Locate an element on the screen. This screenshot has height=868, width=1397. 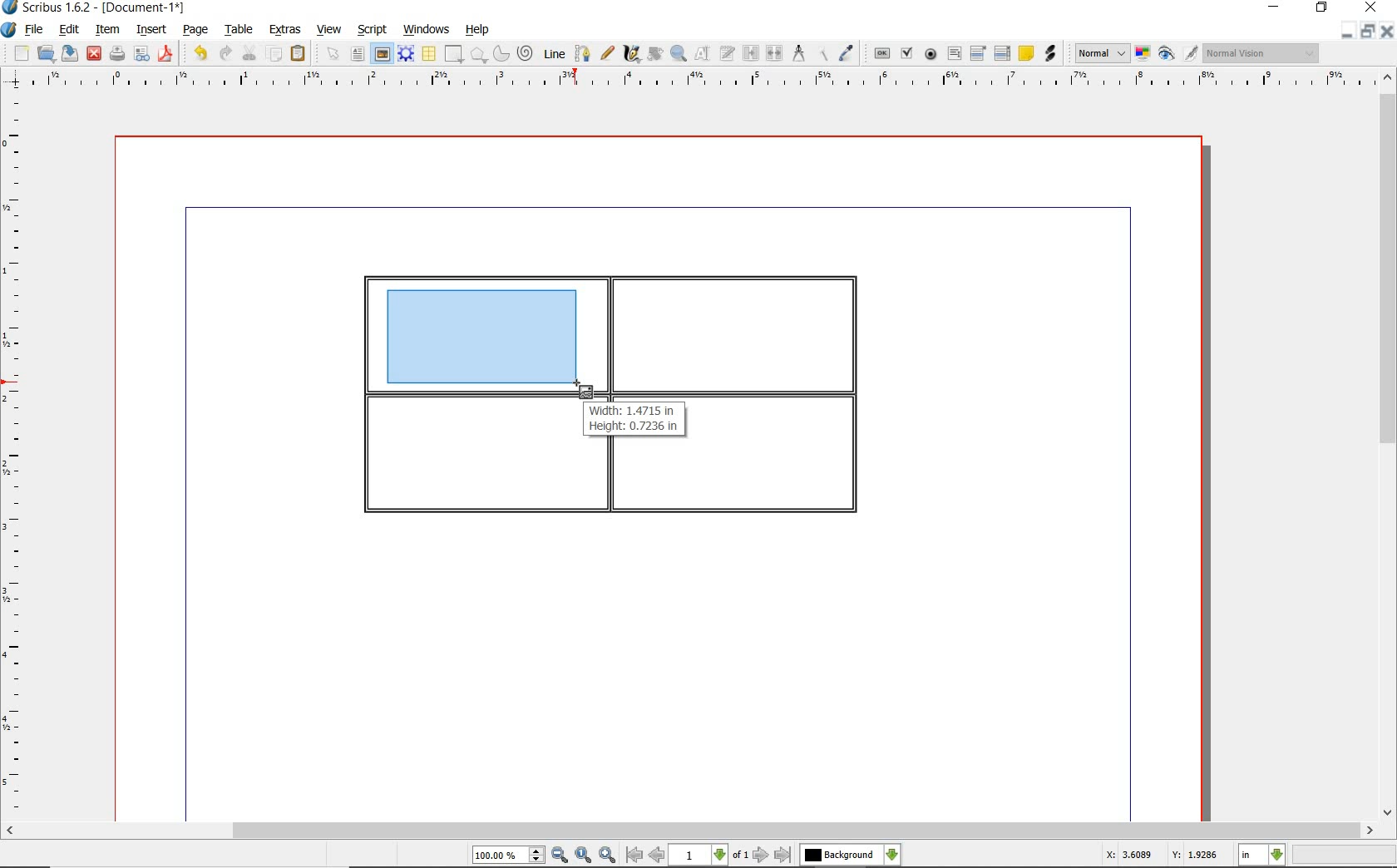
pdf check box is located at coordinates (909, 55).